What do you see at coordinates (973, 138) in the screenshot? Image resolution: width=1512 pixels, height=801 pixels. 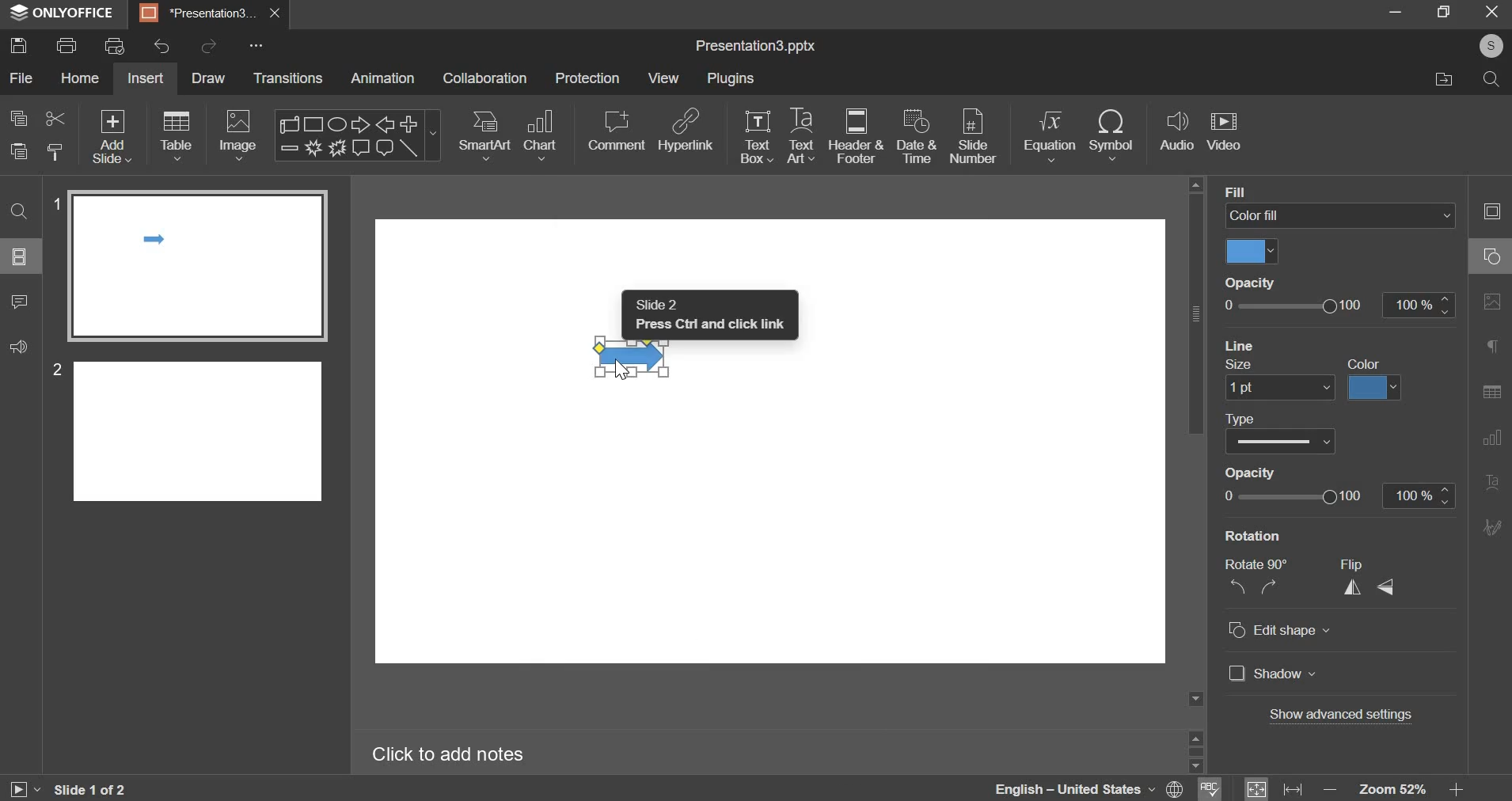 I see `slide number` at bounding box center [973, 138].